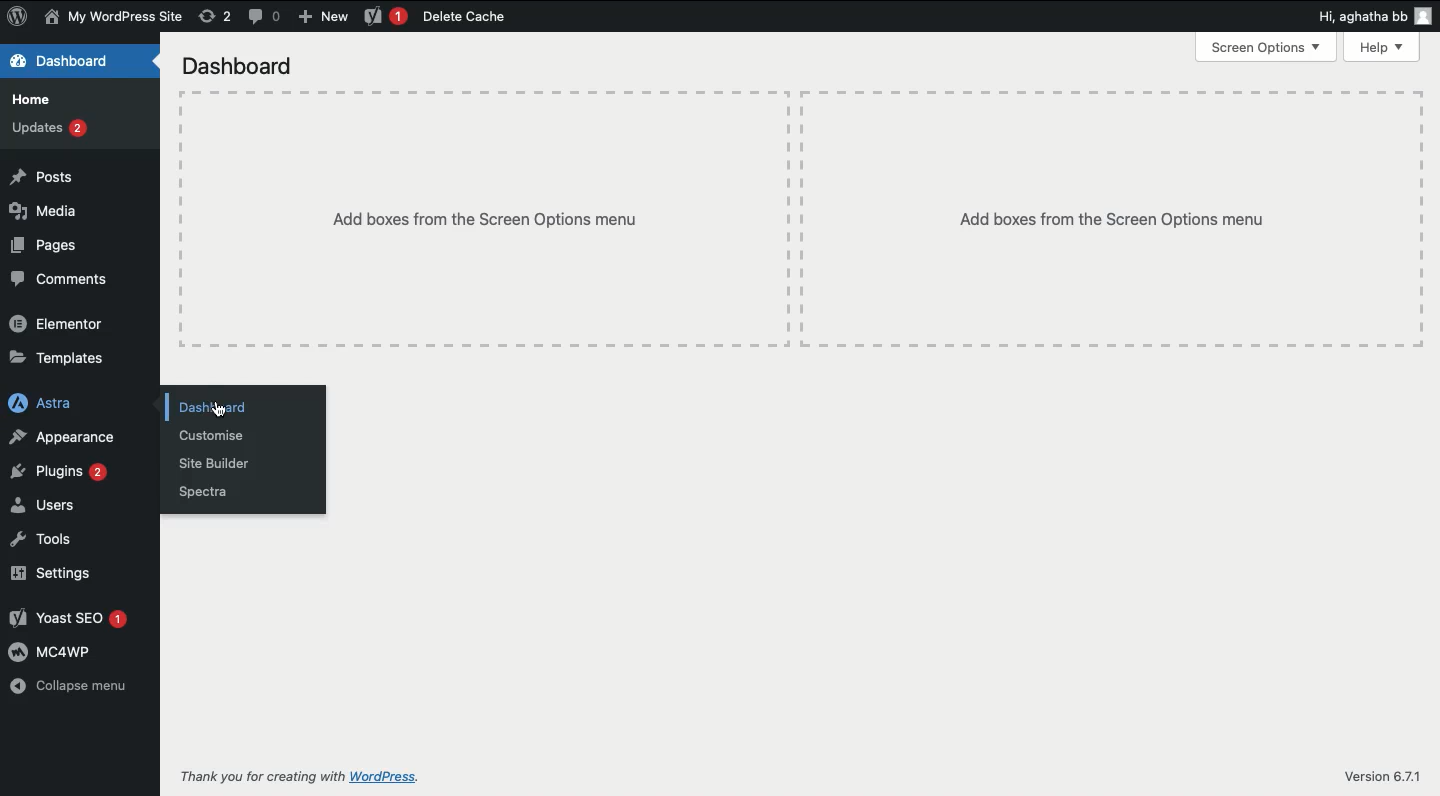  Describe the element at coordinates (1358, 19) in the screenshot. I see `Hi, agatha bb` at that location.